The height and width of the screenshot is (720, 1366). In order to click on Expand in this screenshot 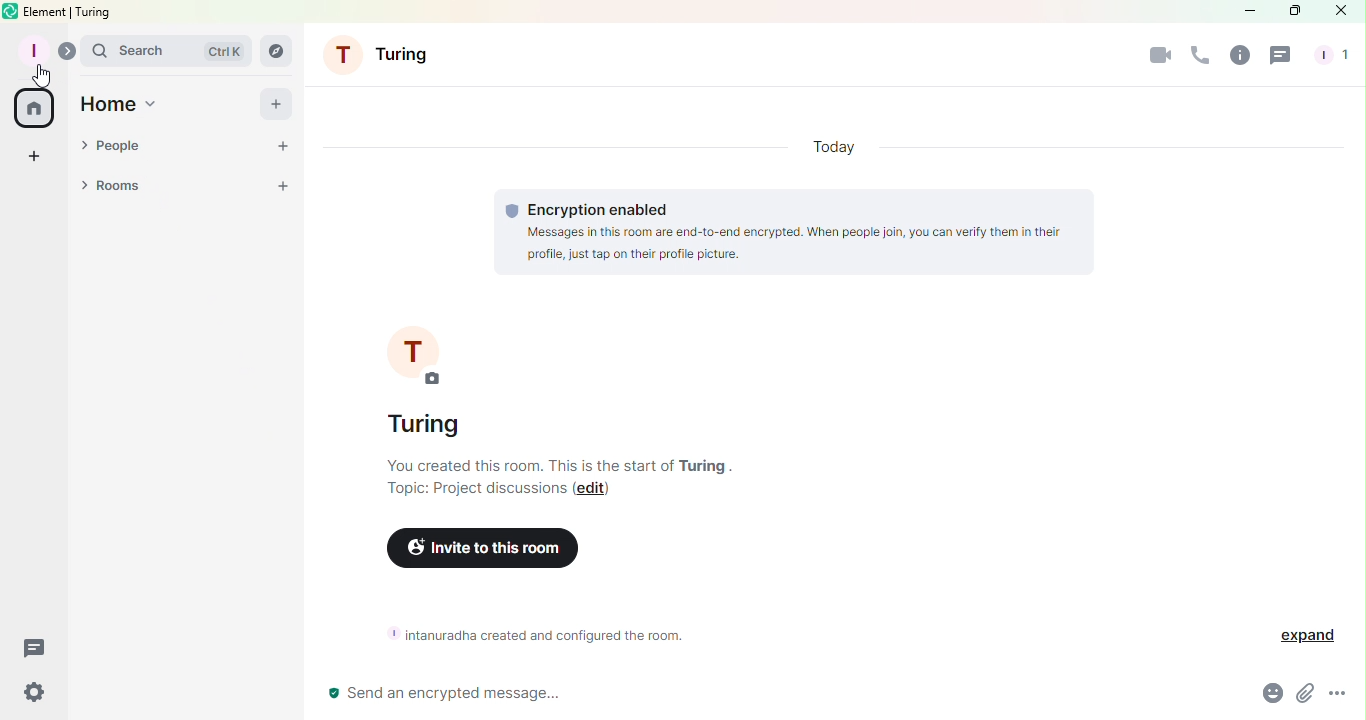, I will do `click(1298, 636)`.